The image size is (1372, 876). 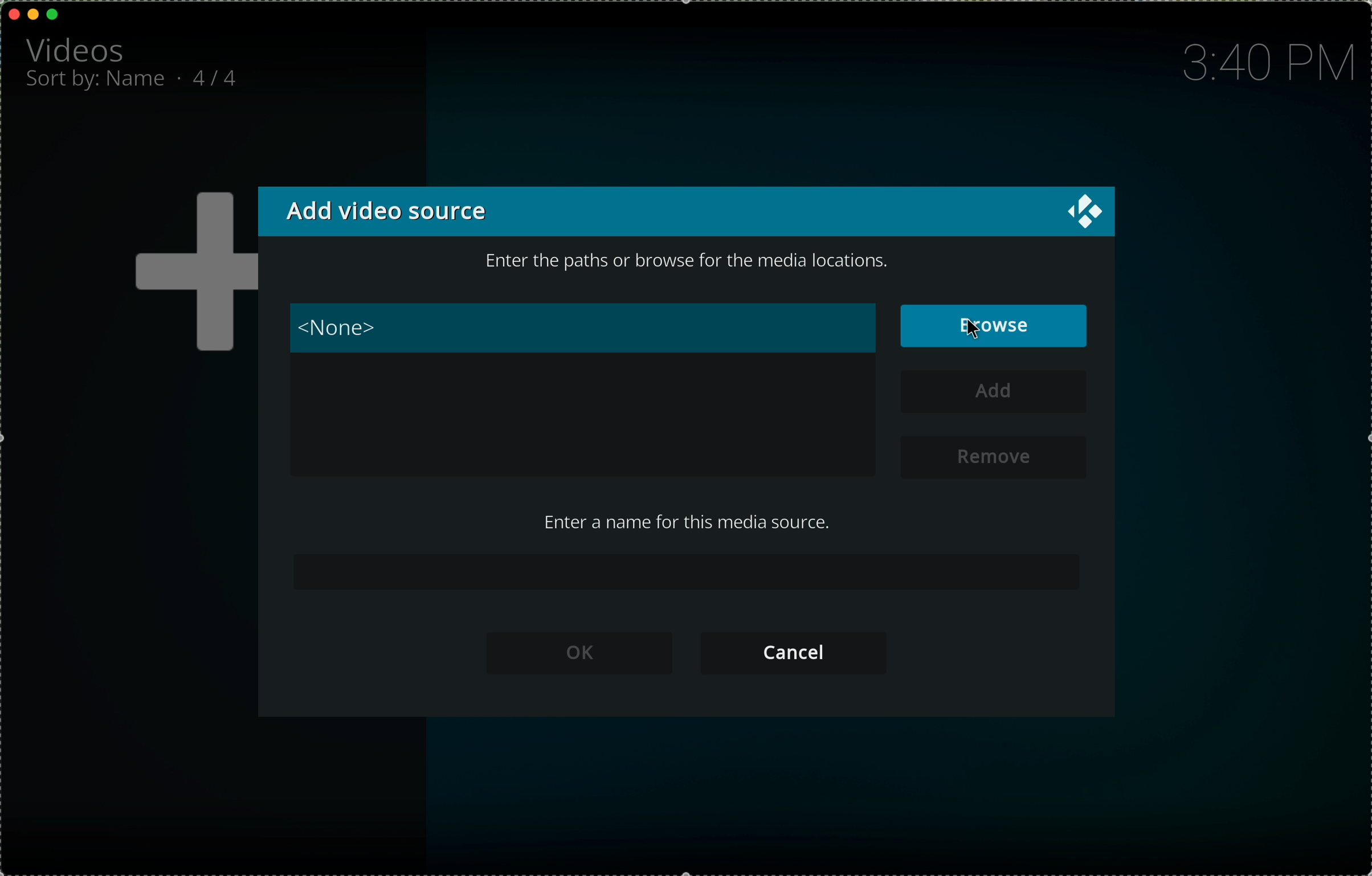 I want to click on space to write, so click(x=691, y=574).